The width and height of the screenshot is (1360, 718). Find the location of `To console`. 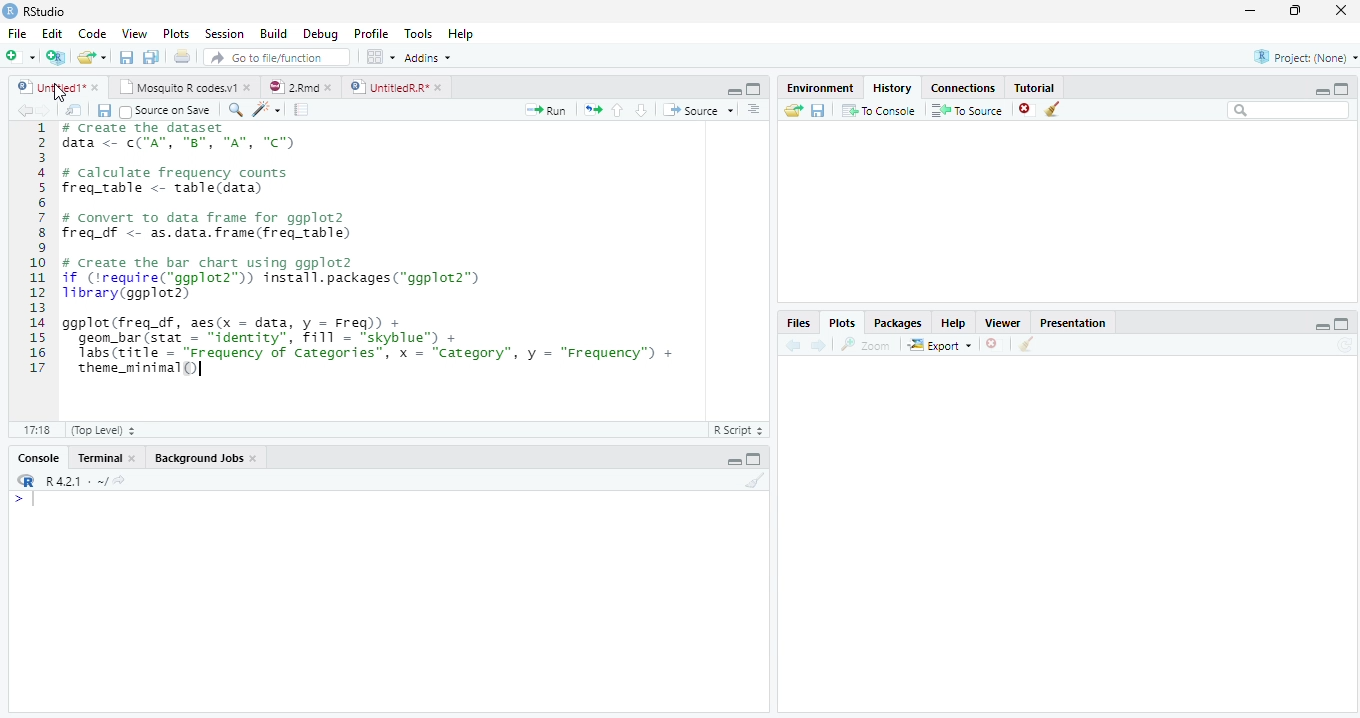

To console is located at coordinates (879, 111).